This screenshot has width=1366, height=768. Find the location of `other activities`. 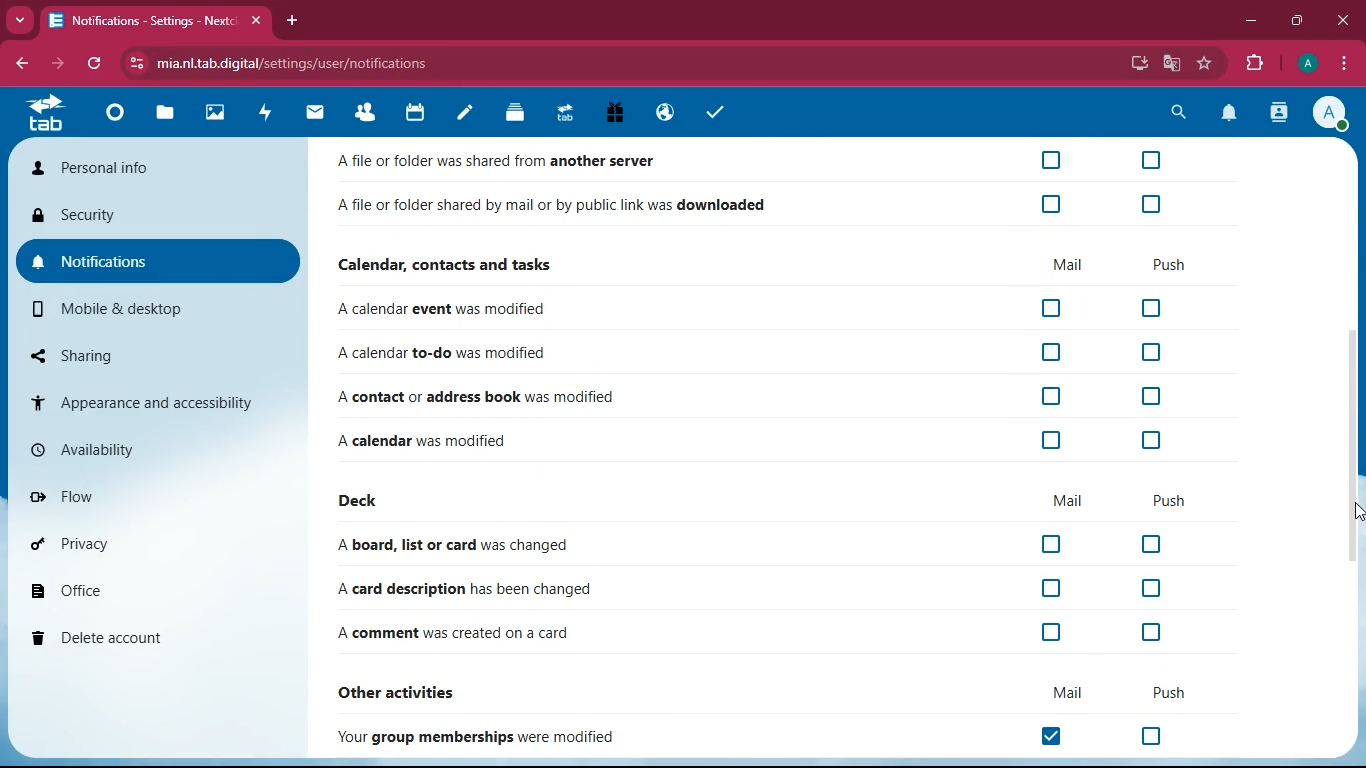

other activities is located at coordinates (410, 690).